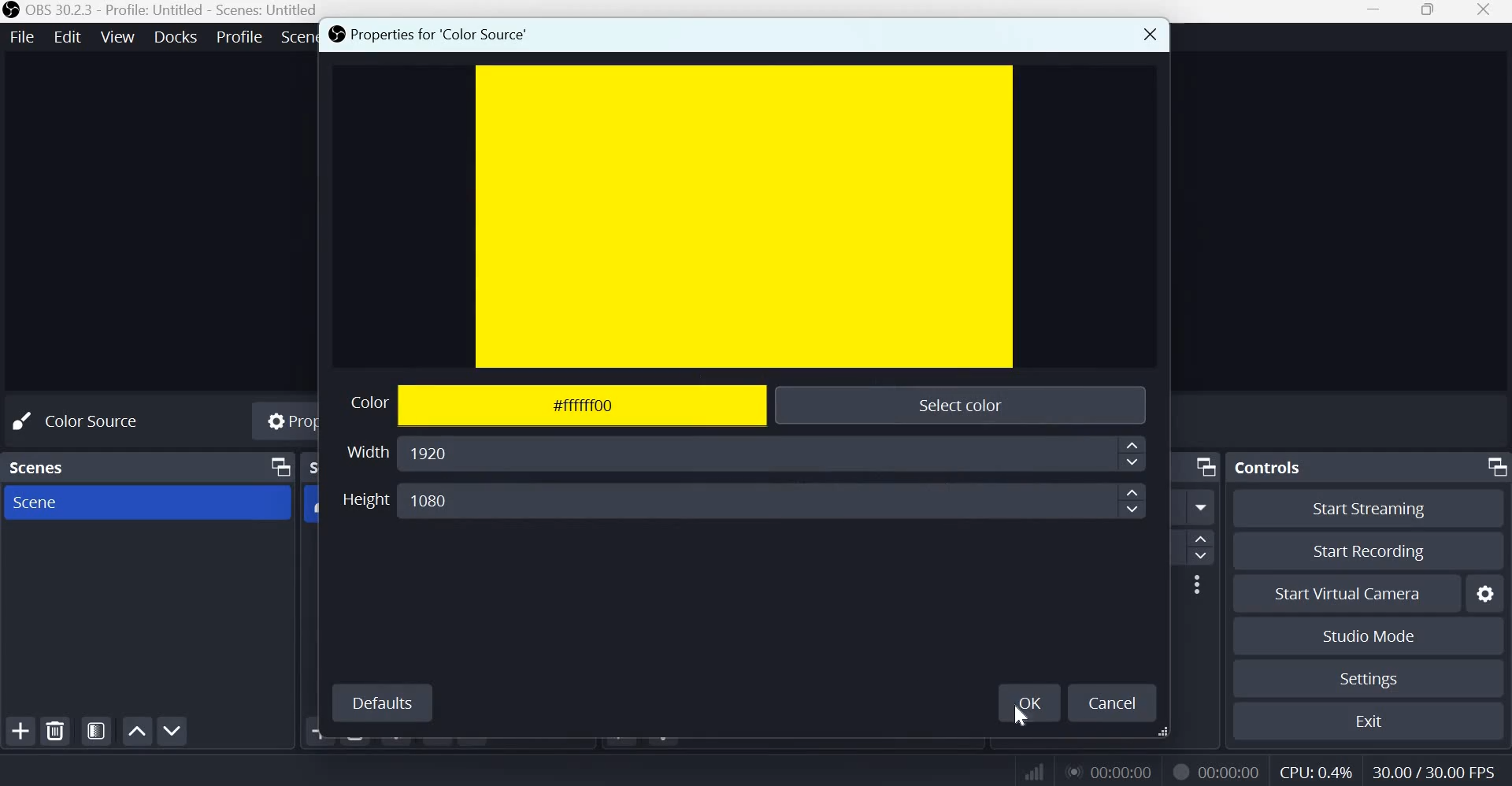 The width and height of the screenshot is (1512, 786). I want to click on Docks, so click(176, 36).